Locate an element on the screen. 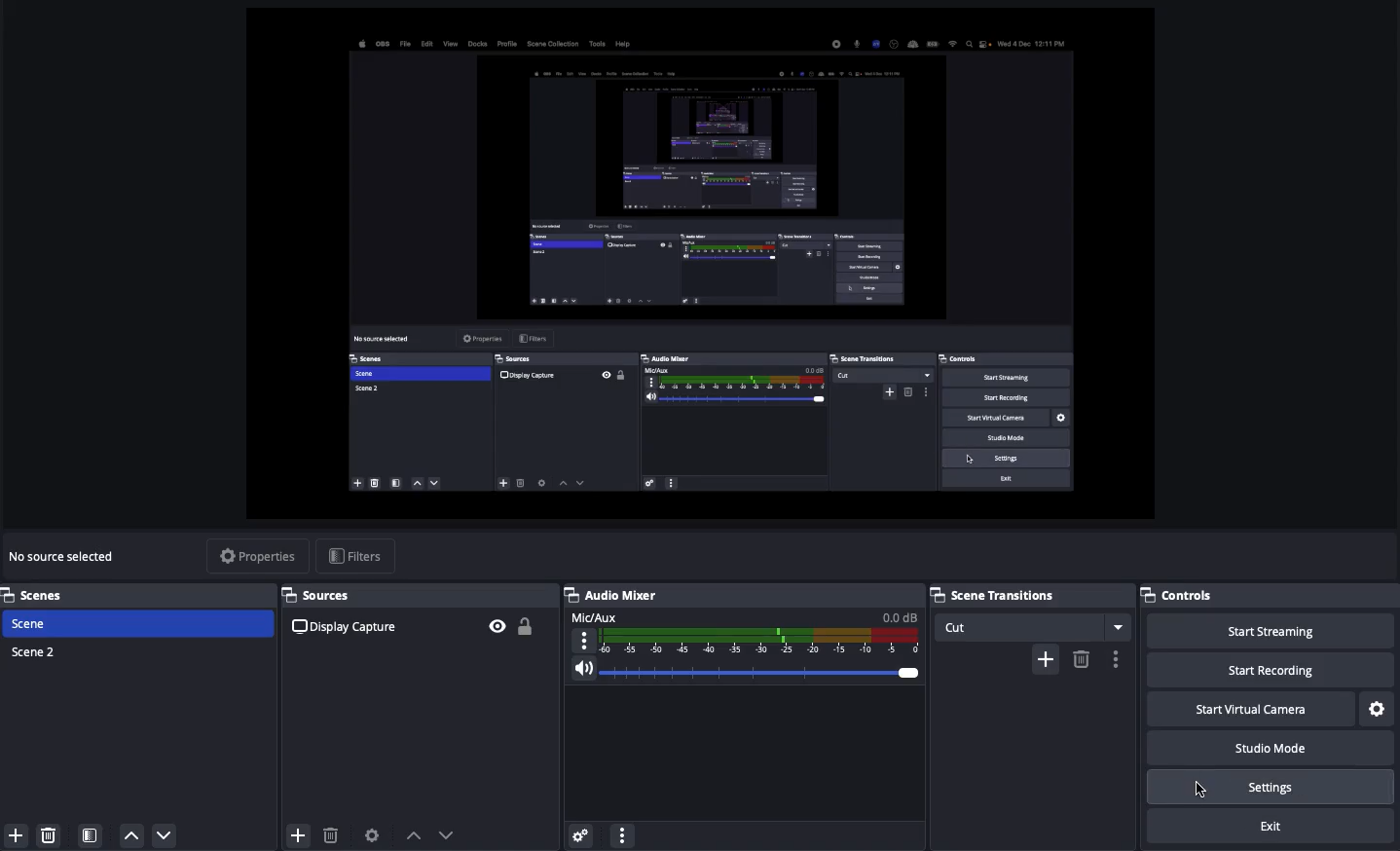  Options is located at coordinates (1117, 658).